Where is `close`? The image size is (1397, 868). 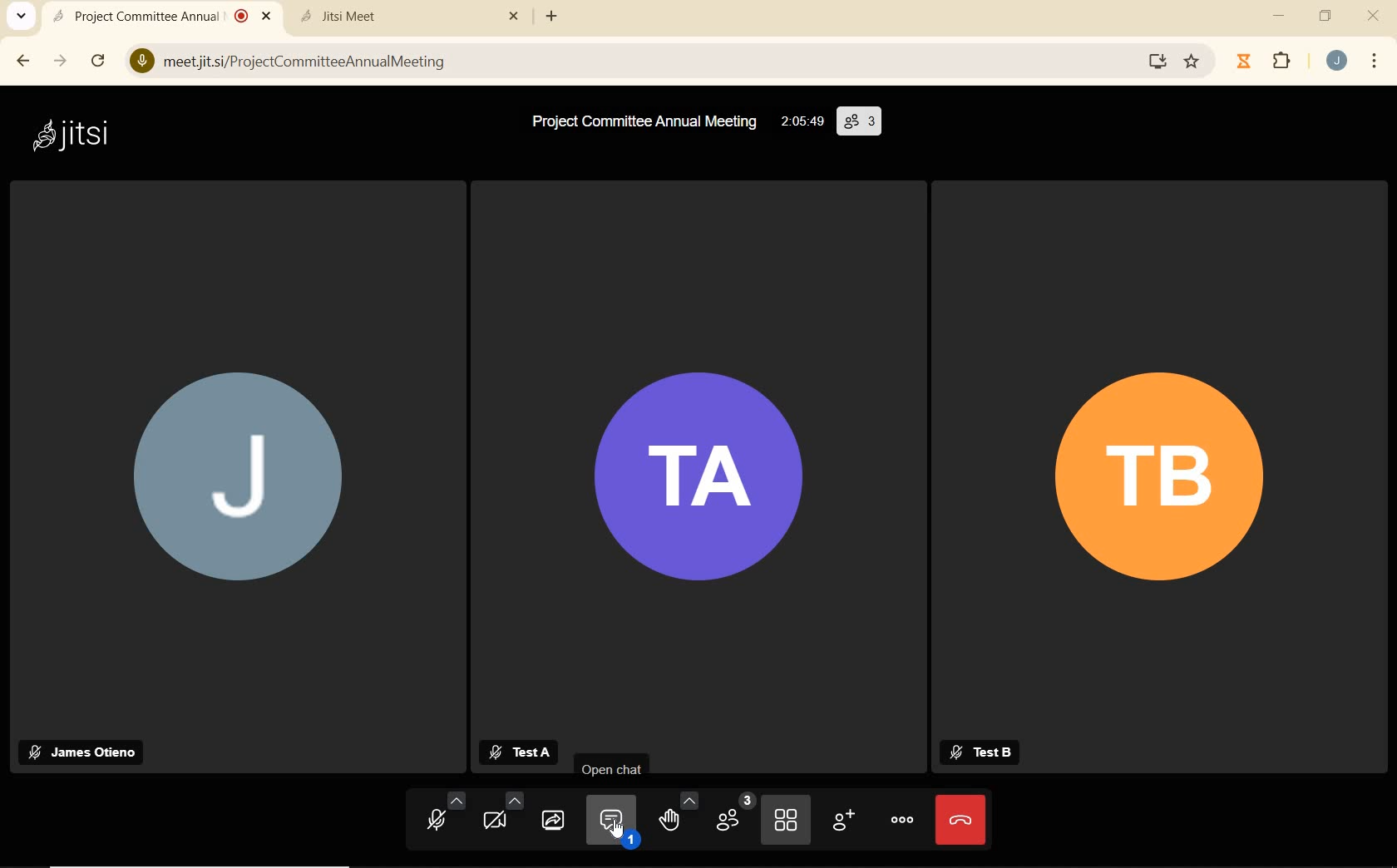
close is located at coordinates (1375, 18).